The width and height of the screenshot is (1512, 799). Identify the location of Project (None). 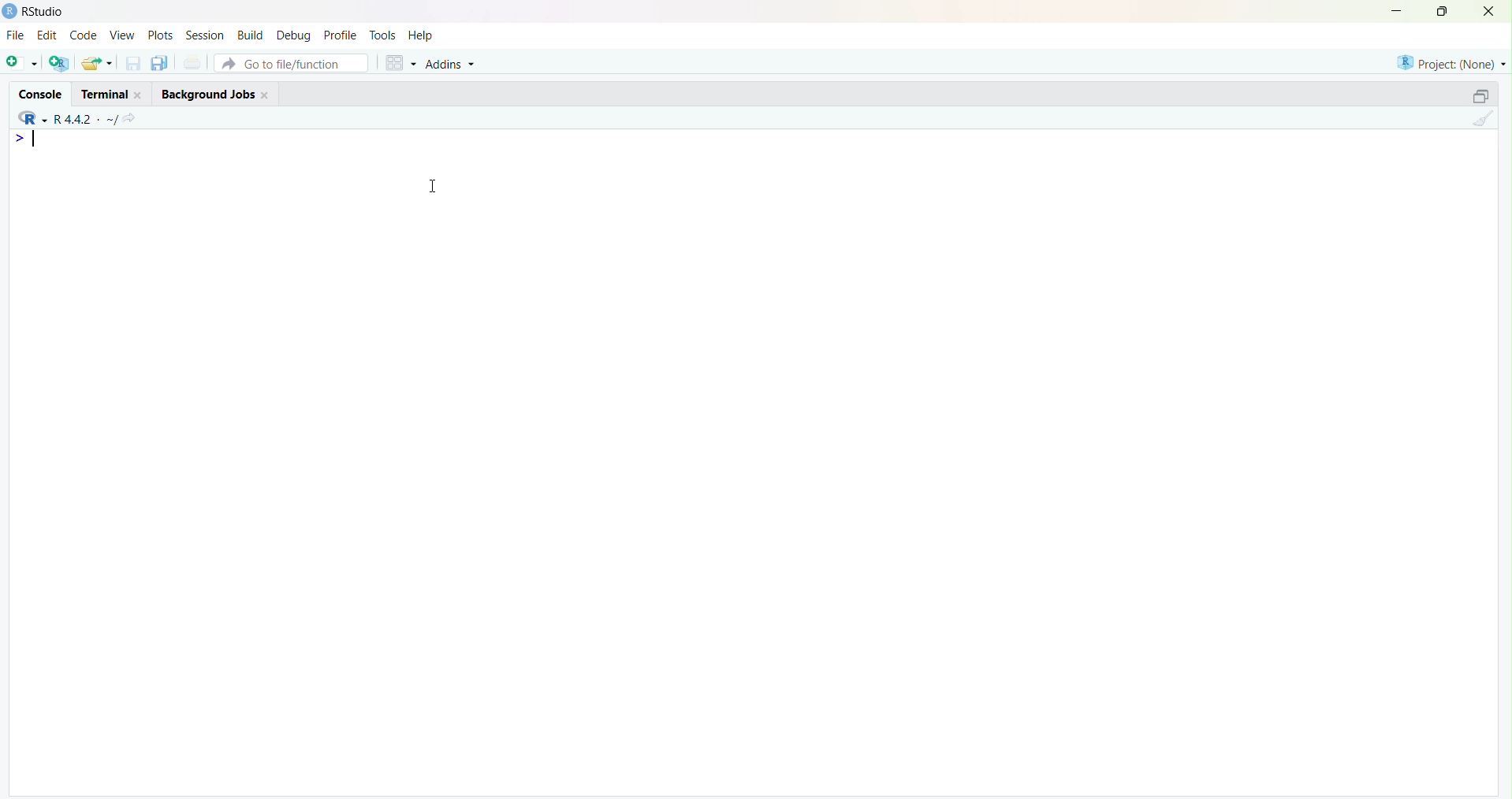
(1450, 62).